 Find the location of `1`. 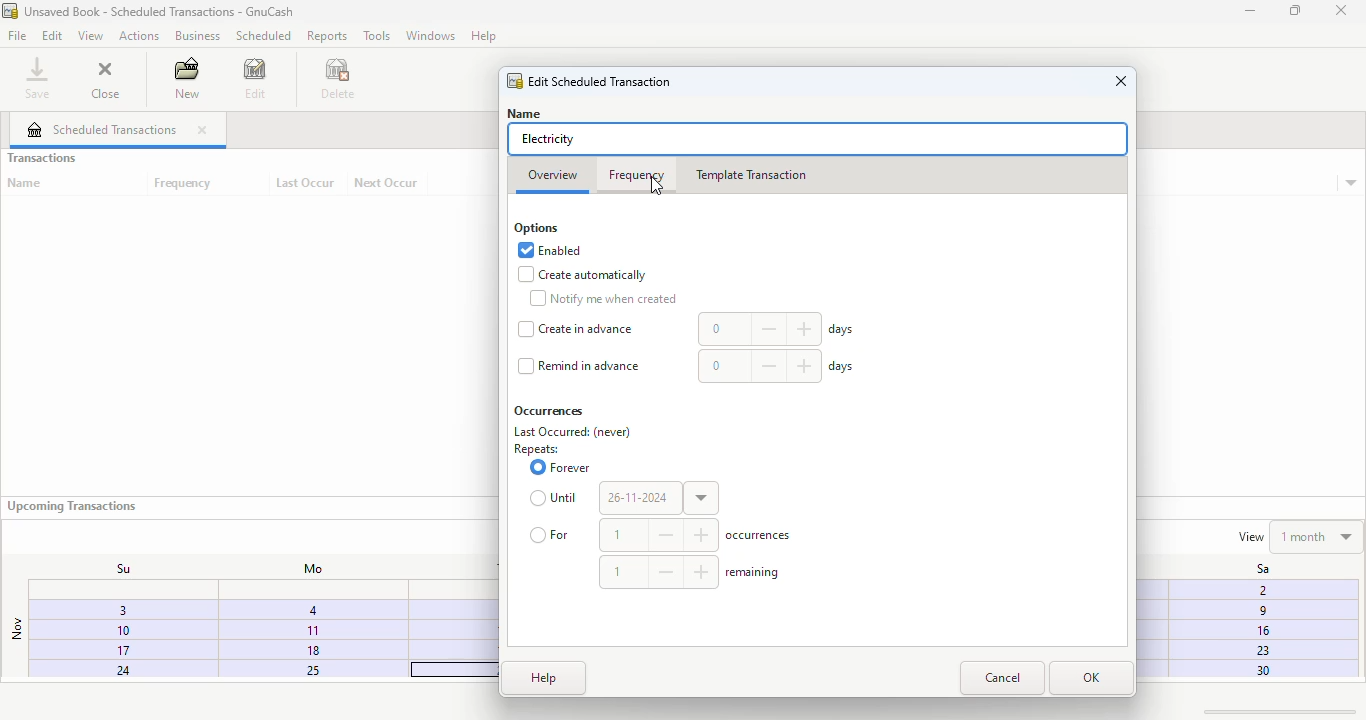

1 is located at coordinates (311, 629).